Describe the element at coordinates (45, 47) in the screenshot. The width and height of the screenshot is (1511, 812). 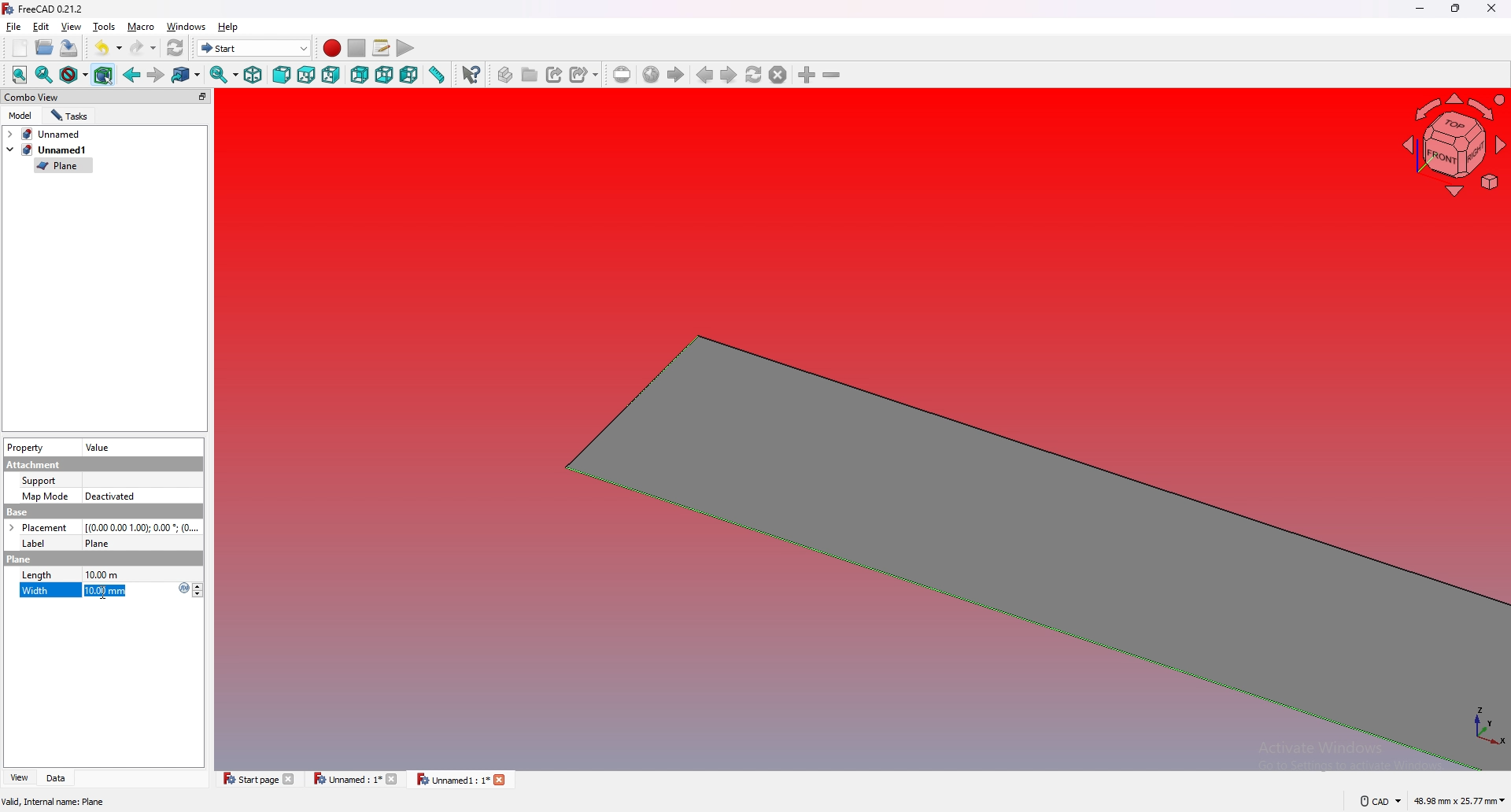
I see `open` at that location.